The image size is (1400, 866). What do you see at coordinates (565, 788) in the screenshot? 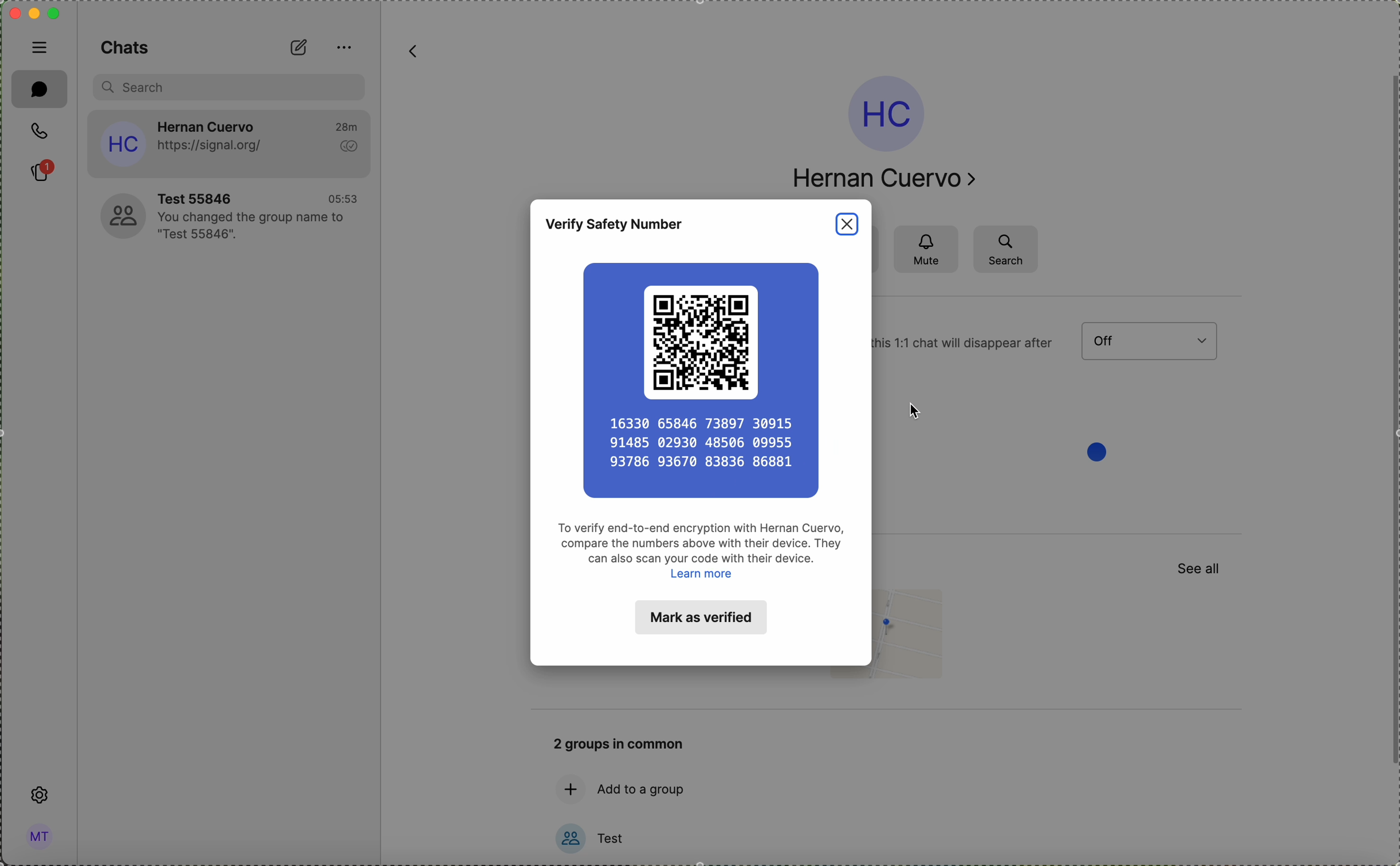
I see `add ` at bounding box center [565, 788].